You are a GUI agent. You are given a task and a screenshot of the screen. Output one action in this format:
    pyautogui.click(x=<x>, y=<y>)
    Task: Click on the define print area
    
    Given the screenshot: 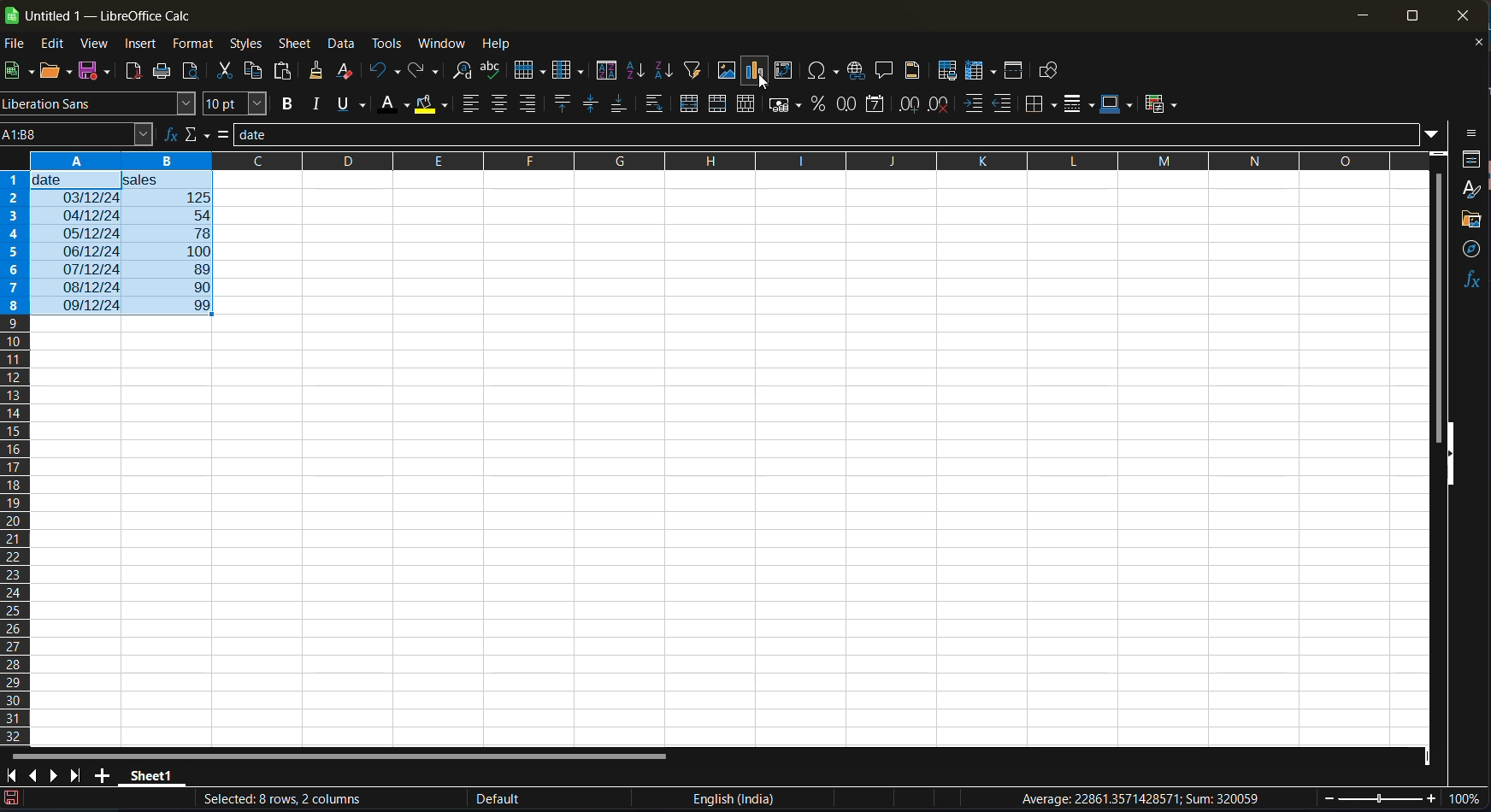 What is the action you would take?
    pyautogui.click(x=948, y=70)
    